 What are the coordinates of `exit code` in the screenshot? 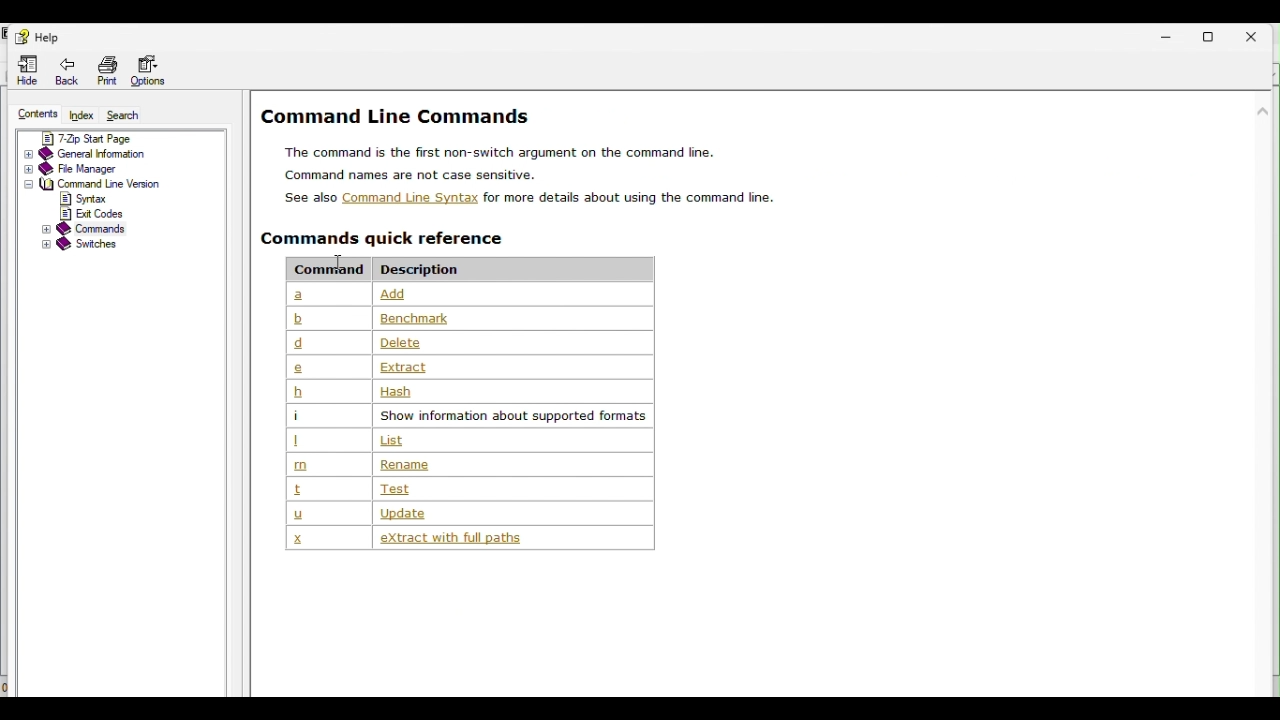 It's located at (100, 213).